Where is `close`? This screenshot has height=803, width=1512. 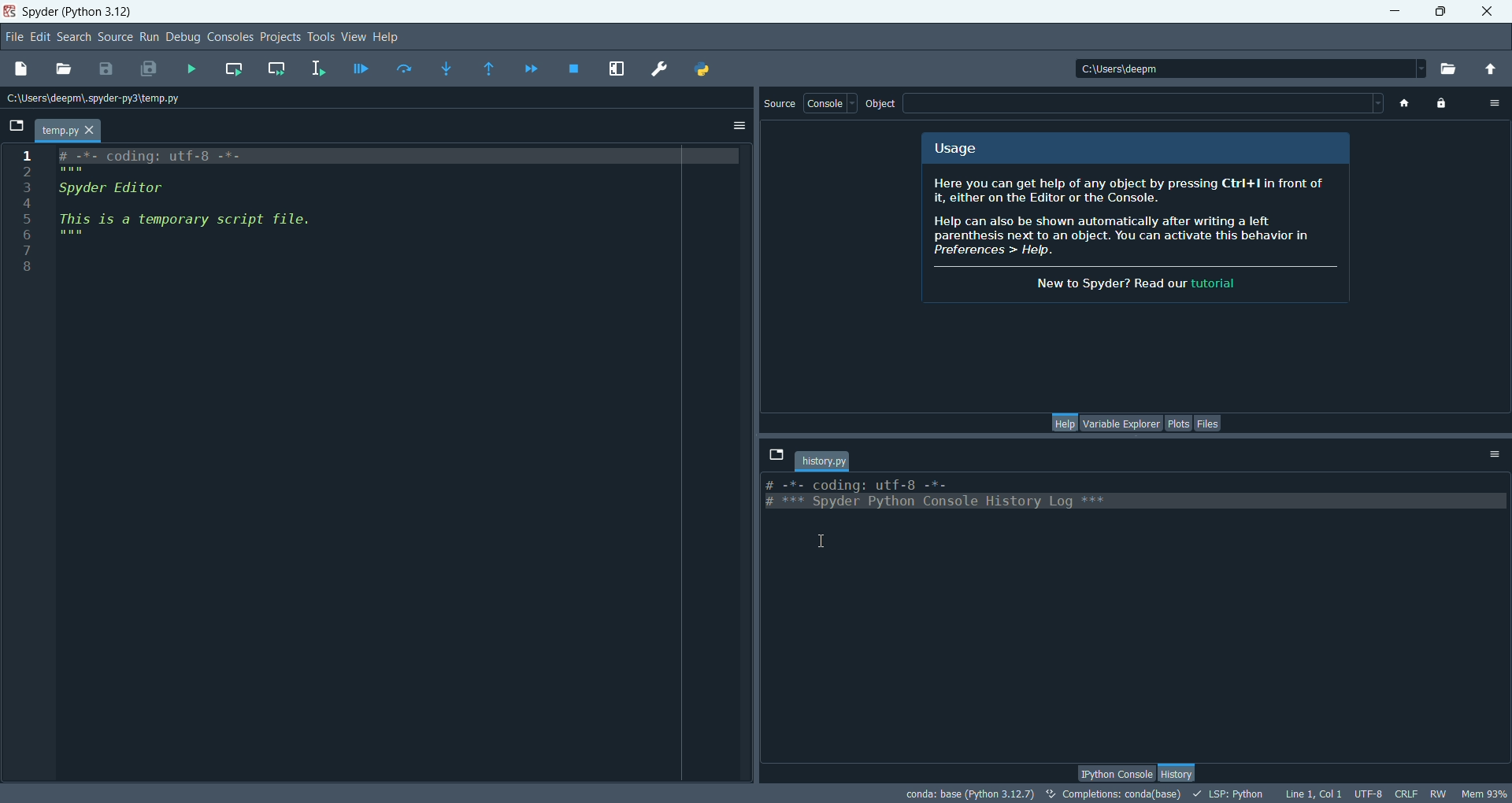 close is located at coordinates (1485, 9).